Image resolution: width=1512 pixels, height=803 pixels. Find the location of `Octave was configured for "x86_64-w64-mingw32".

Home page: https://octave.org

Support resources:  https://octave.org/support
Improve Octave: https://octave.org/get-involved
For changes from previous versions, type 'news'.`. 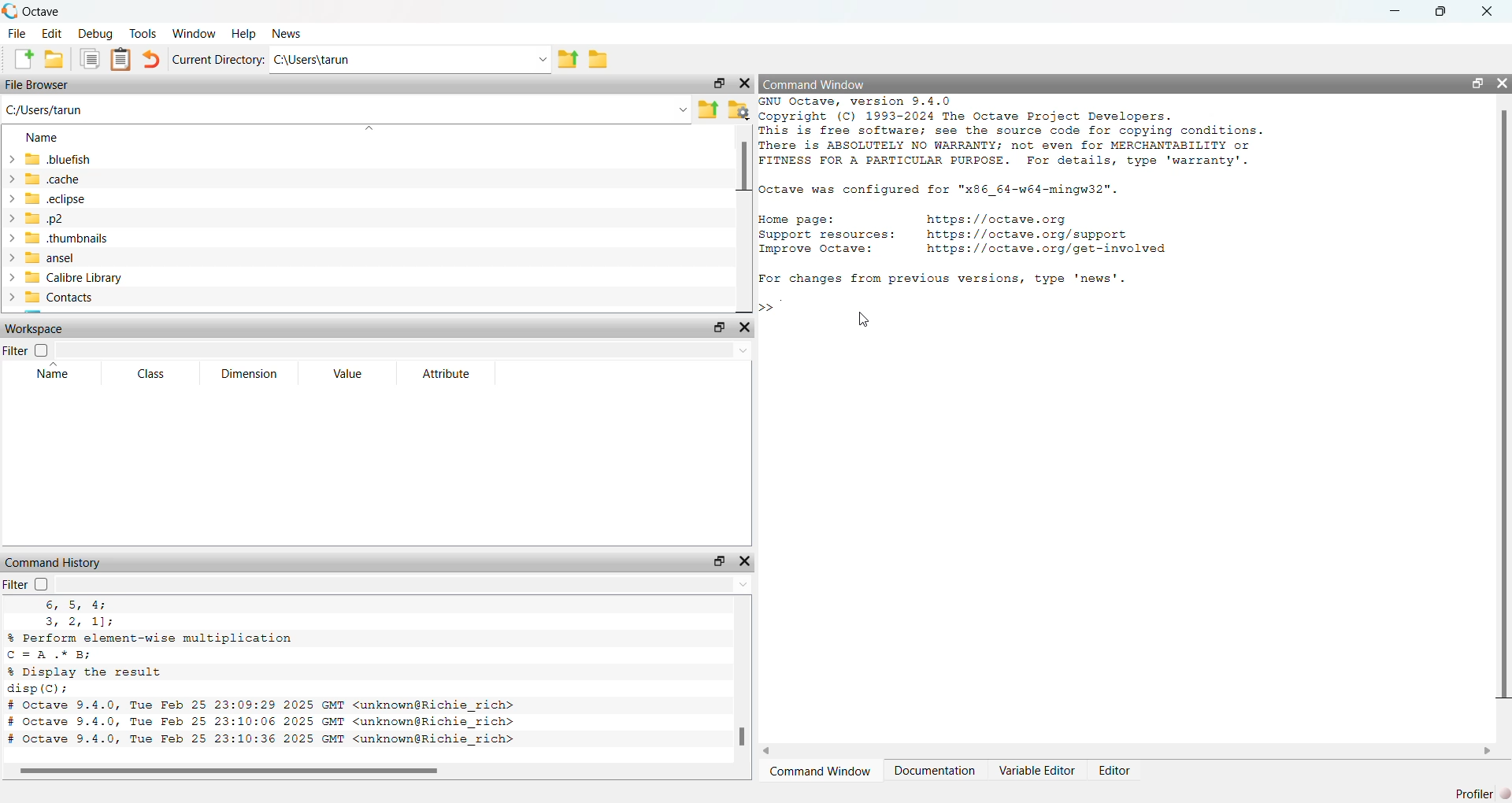

Octave was configured for "x86_64-w64-mingw32".

Home page: https://octave.org

Support resources:  https://octave.org/support
Improve Octave: https://octave.org/get-involved
For changes from previous versions, type 'news'. is located at coordinates (967, 234).